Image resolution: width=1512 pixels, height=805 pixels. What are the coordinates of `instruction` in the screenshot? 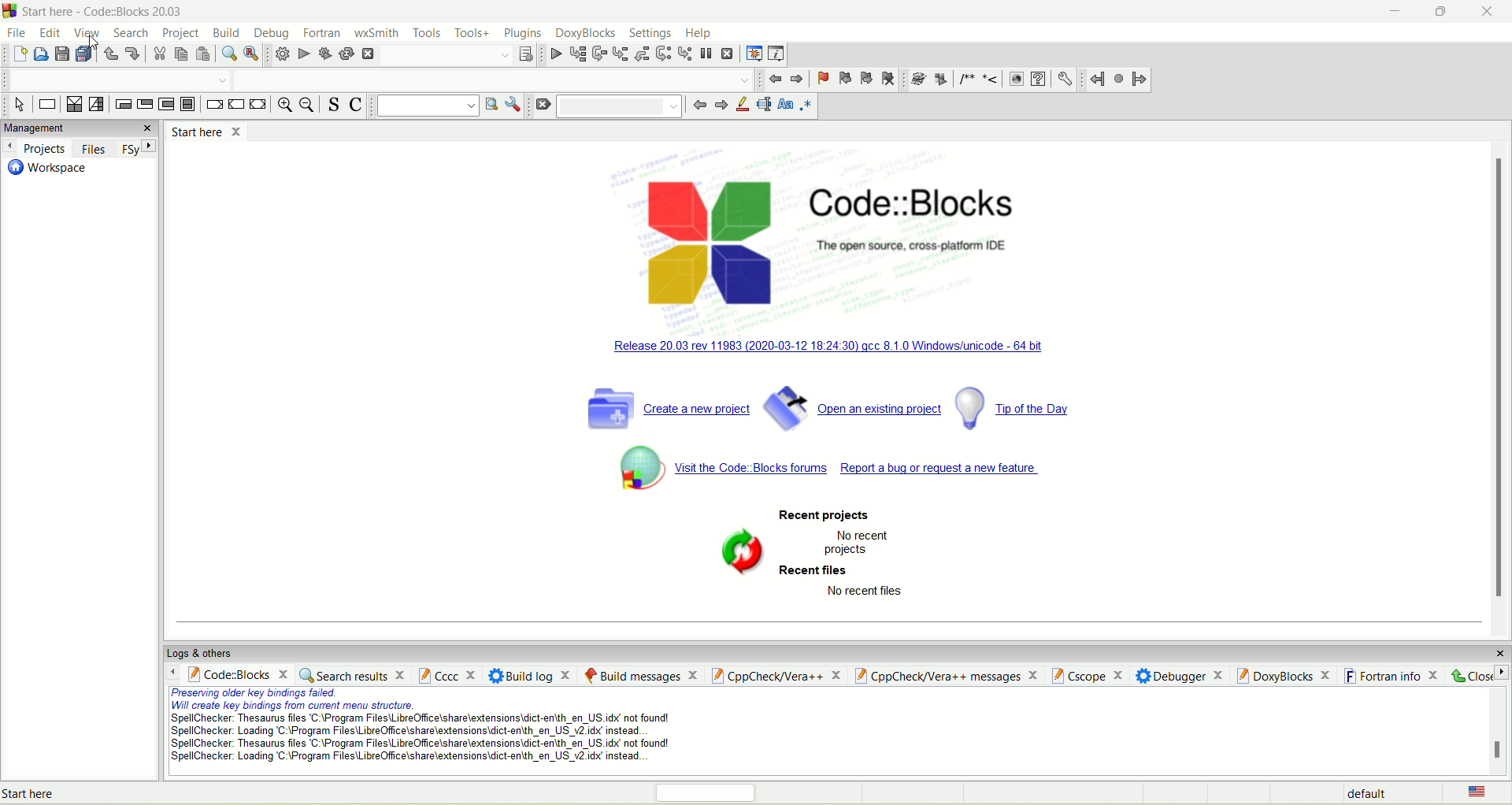 It's located at (47, 103).